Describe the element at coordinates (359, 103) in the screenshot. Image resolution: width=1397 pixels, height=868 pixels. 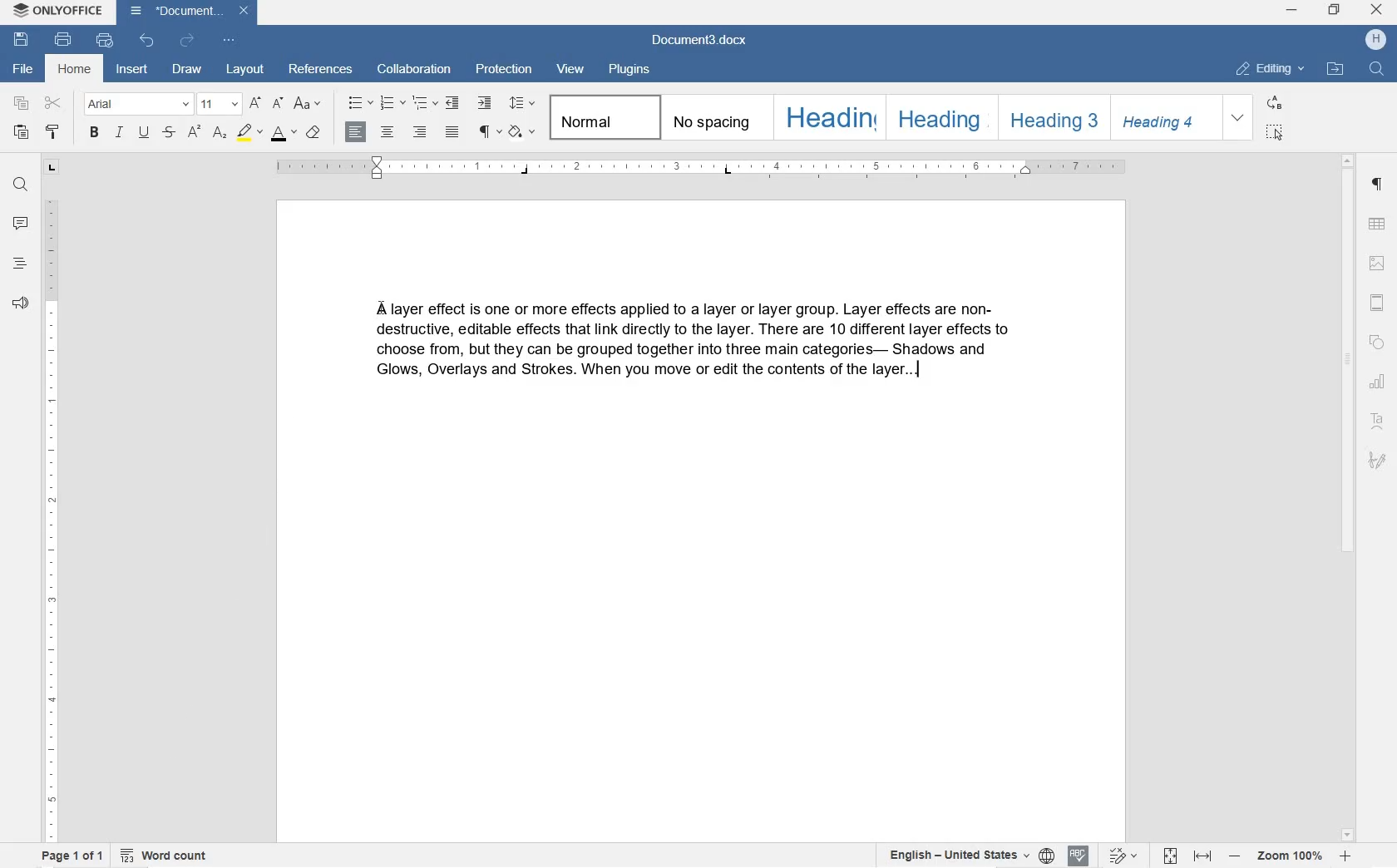
I see `BULLETS` at that location.